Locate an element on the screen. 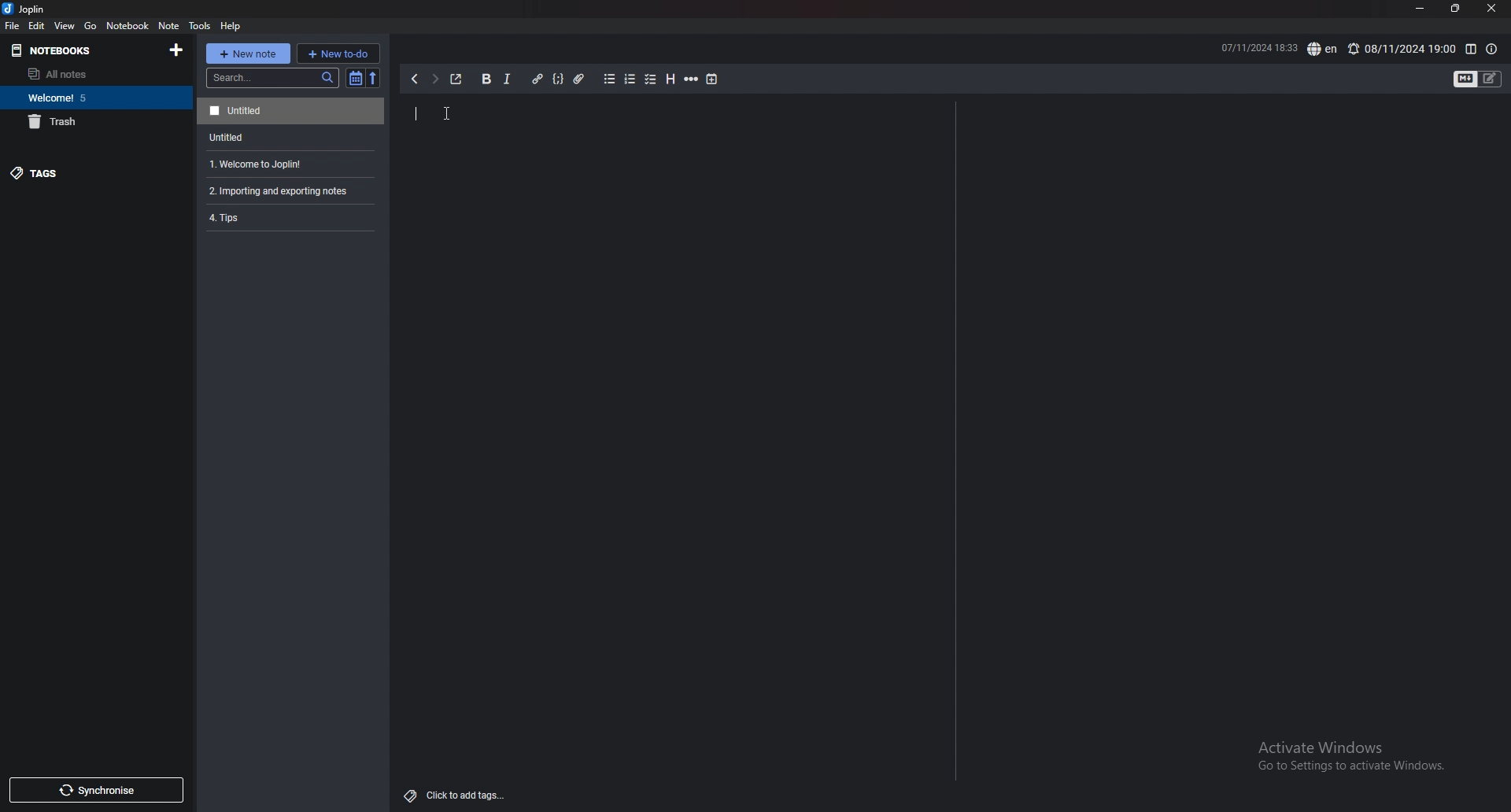 The width and height of the screenshot is (1511, 812). numbered list is located at coordinates (630, 79).